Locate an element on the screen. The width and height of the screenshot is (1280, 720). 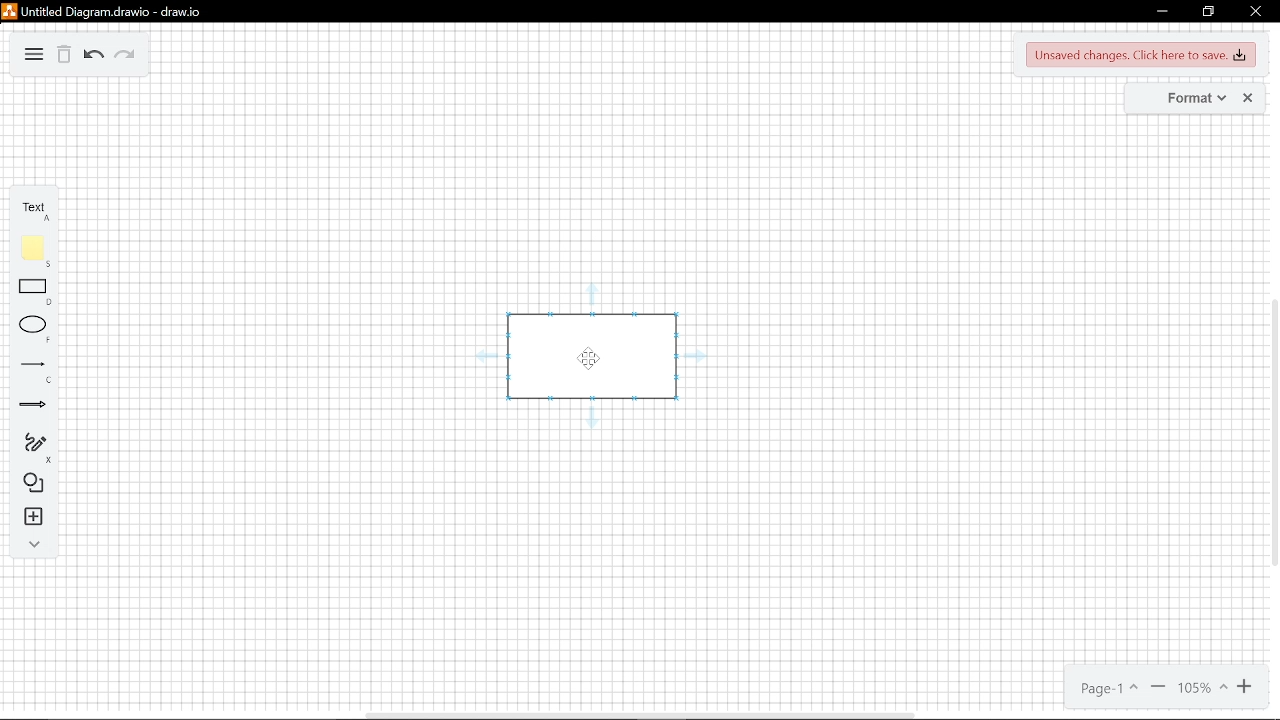
zoom in is located at coordinates (1203, 686).